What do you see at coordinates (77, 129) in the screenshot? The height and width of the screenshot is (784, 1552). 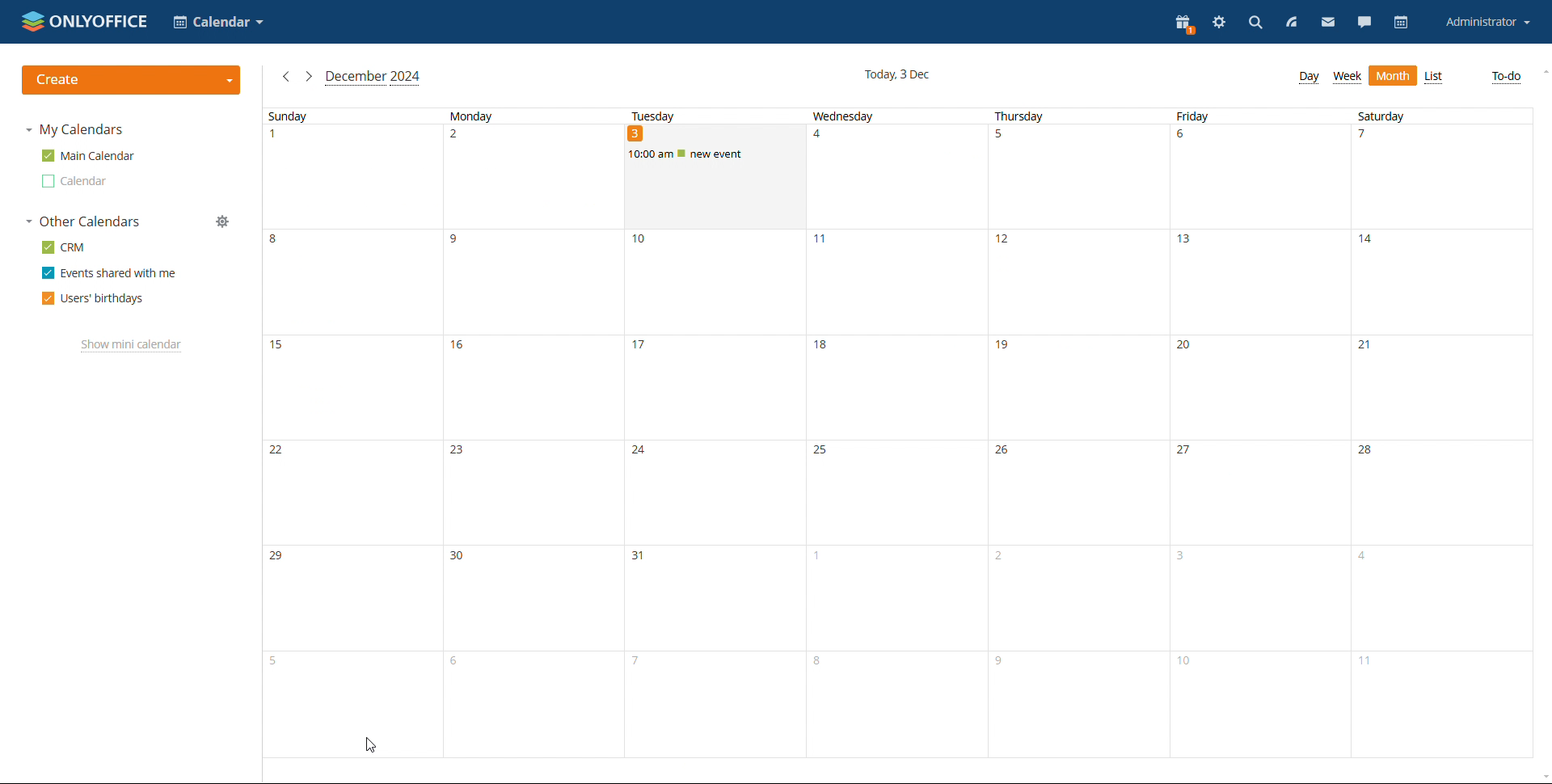 I see `my calendars` at bounding box center [77, 129].